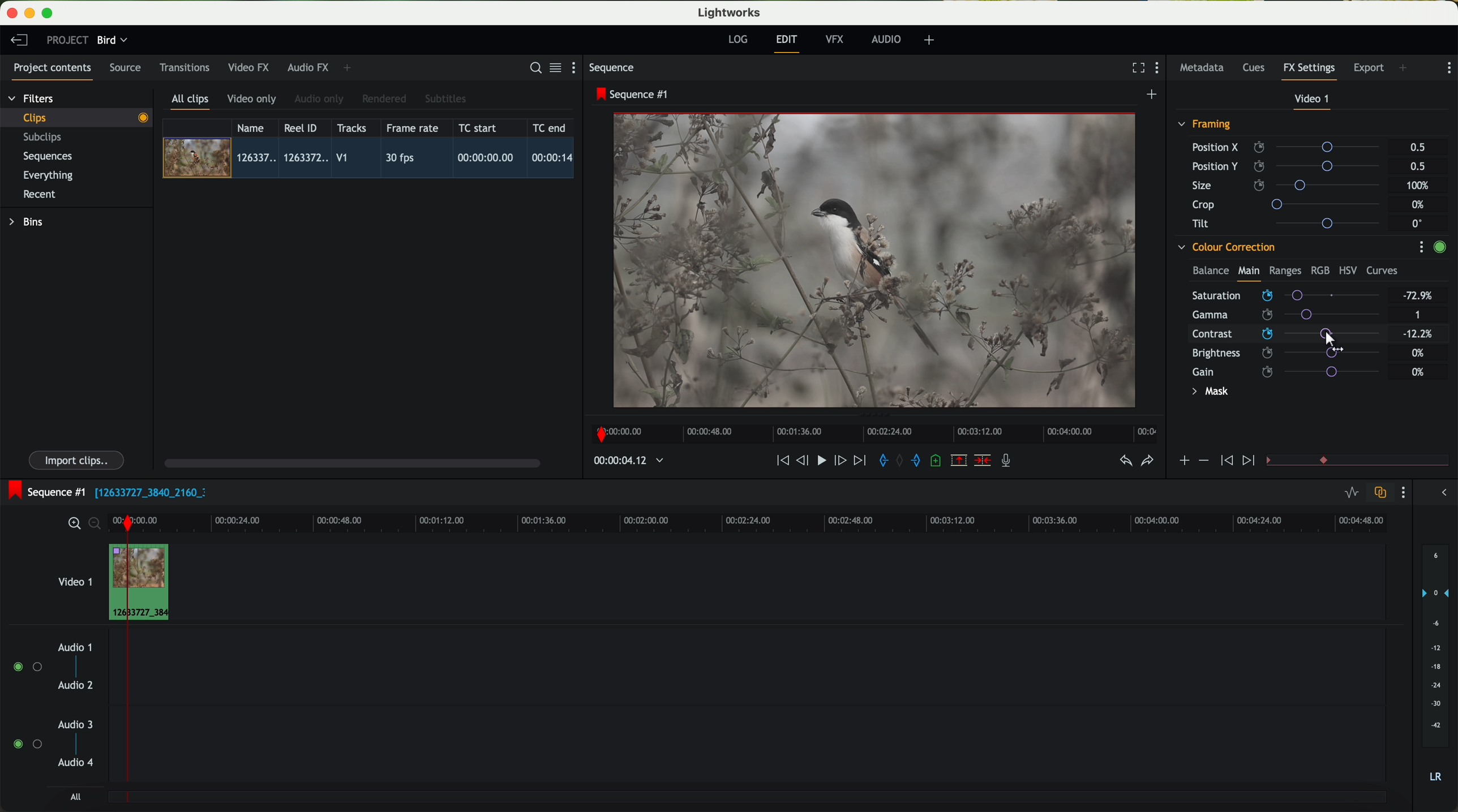  I want to click on balance, so click(1211, 272).